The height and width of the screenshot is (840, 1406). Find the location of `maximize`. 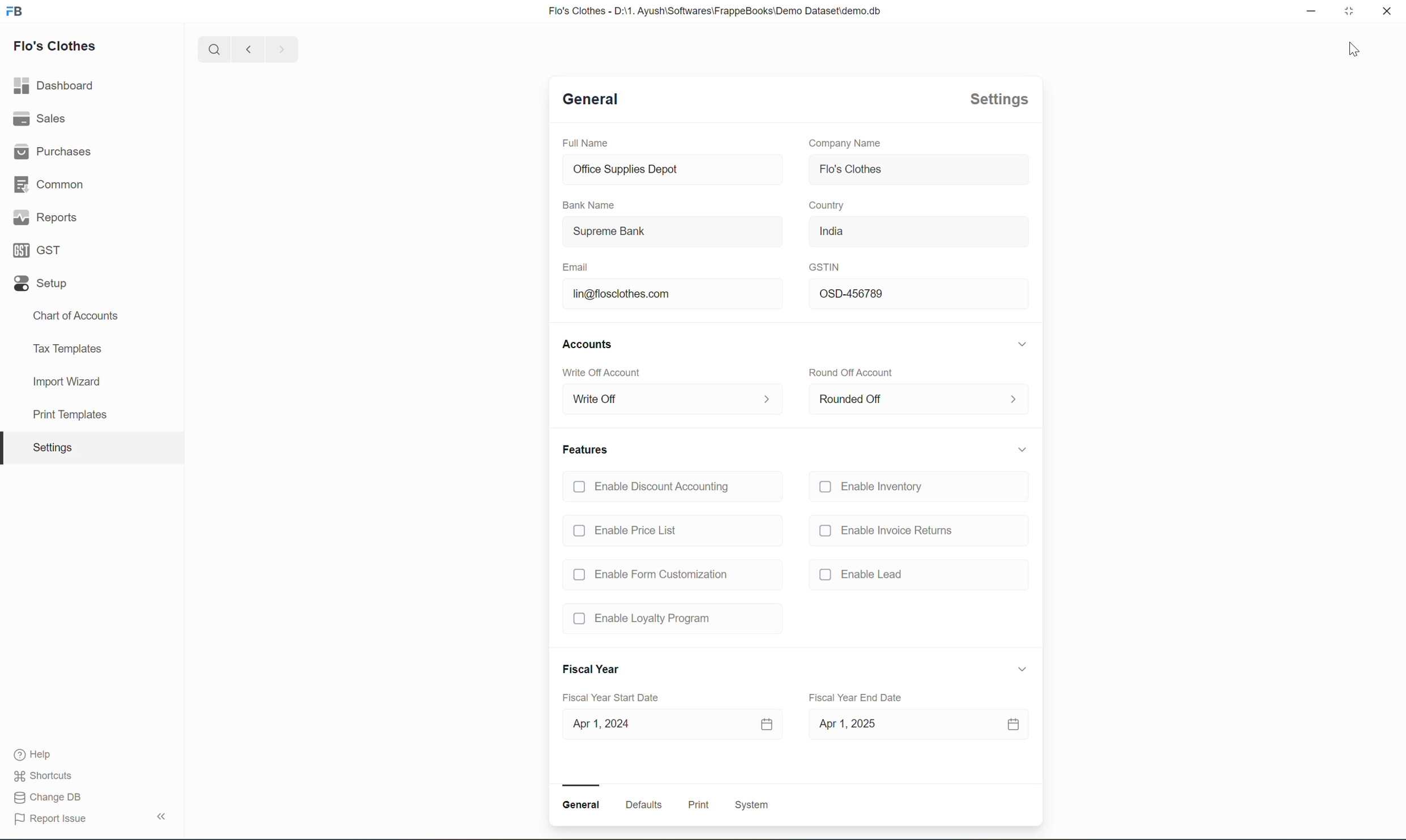

maximize is located at coordinates (1349, 10).